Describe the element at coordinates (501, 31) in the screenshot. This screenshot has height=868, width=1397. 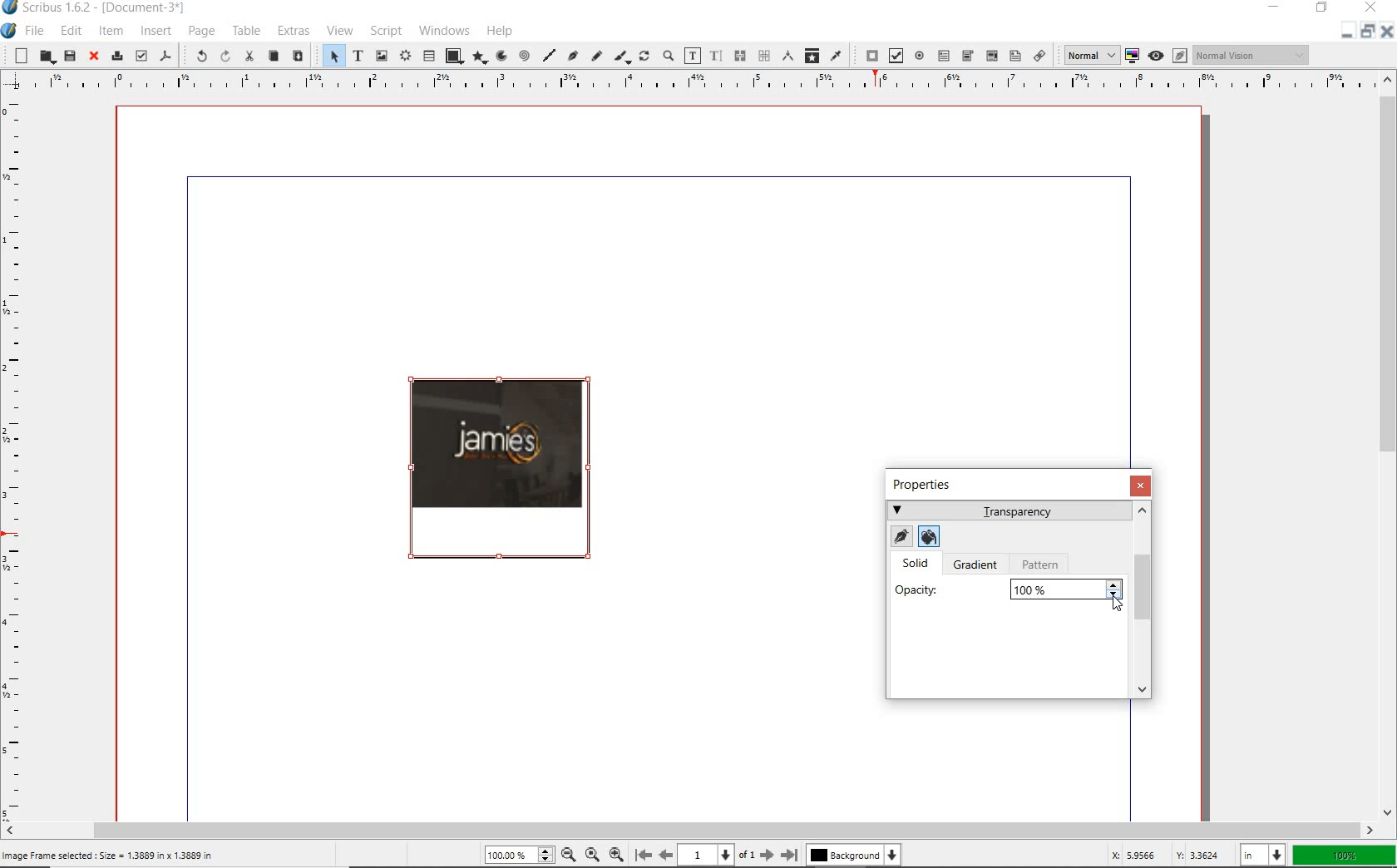
I see `HELP` at that location.